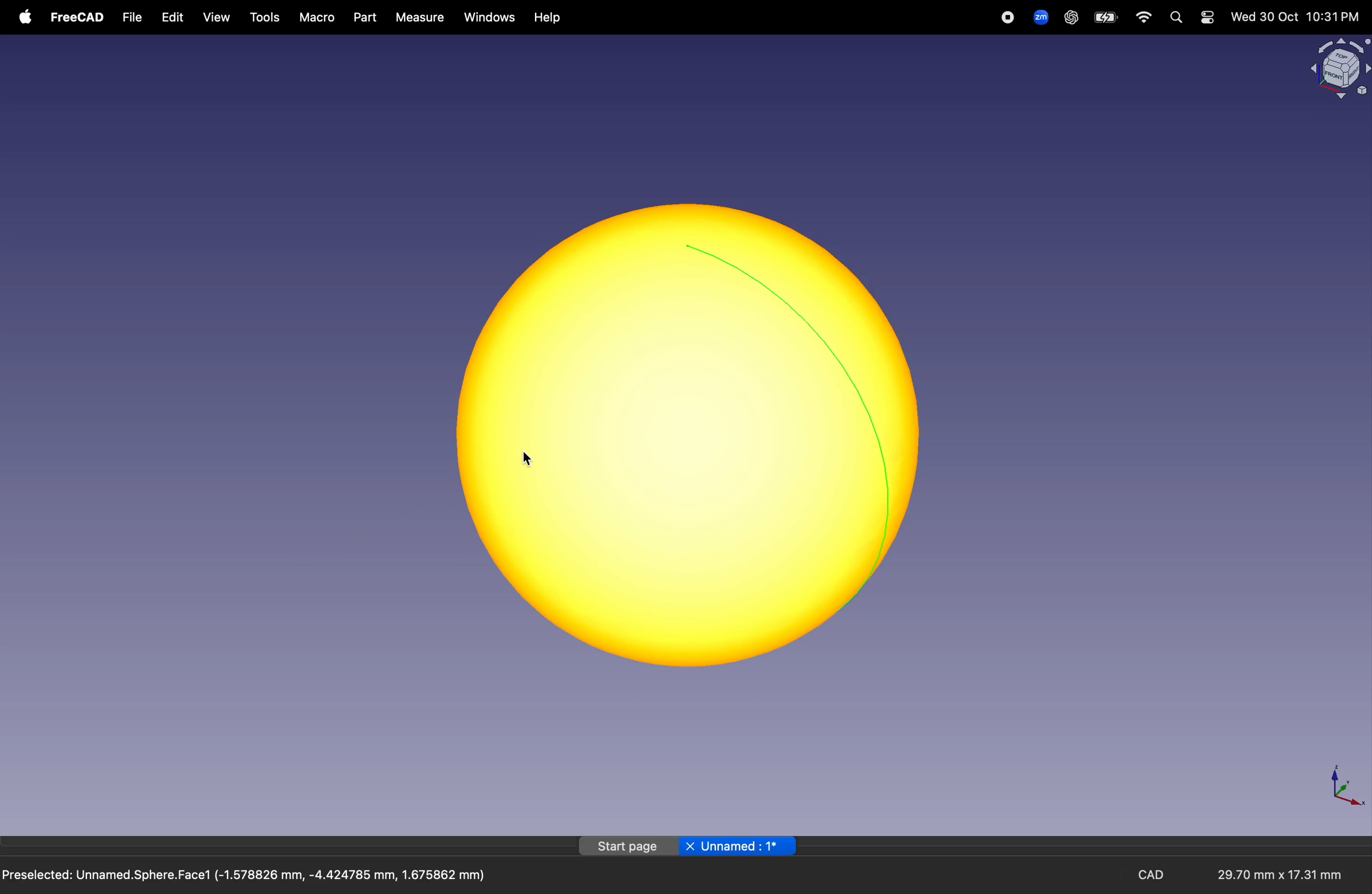  What do you see at coordinates (133, 18) in the screenshot?
I see `file` at bounding box center [133, 18].